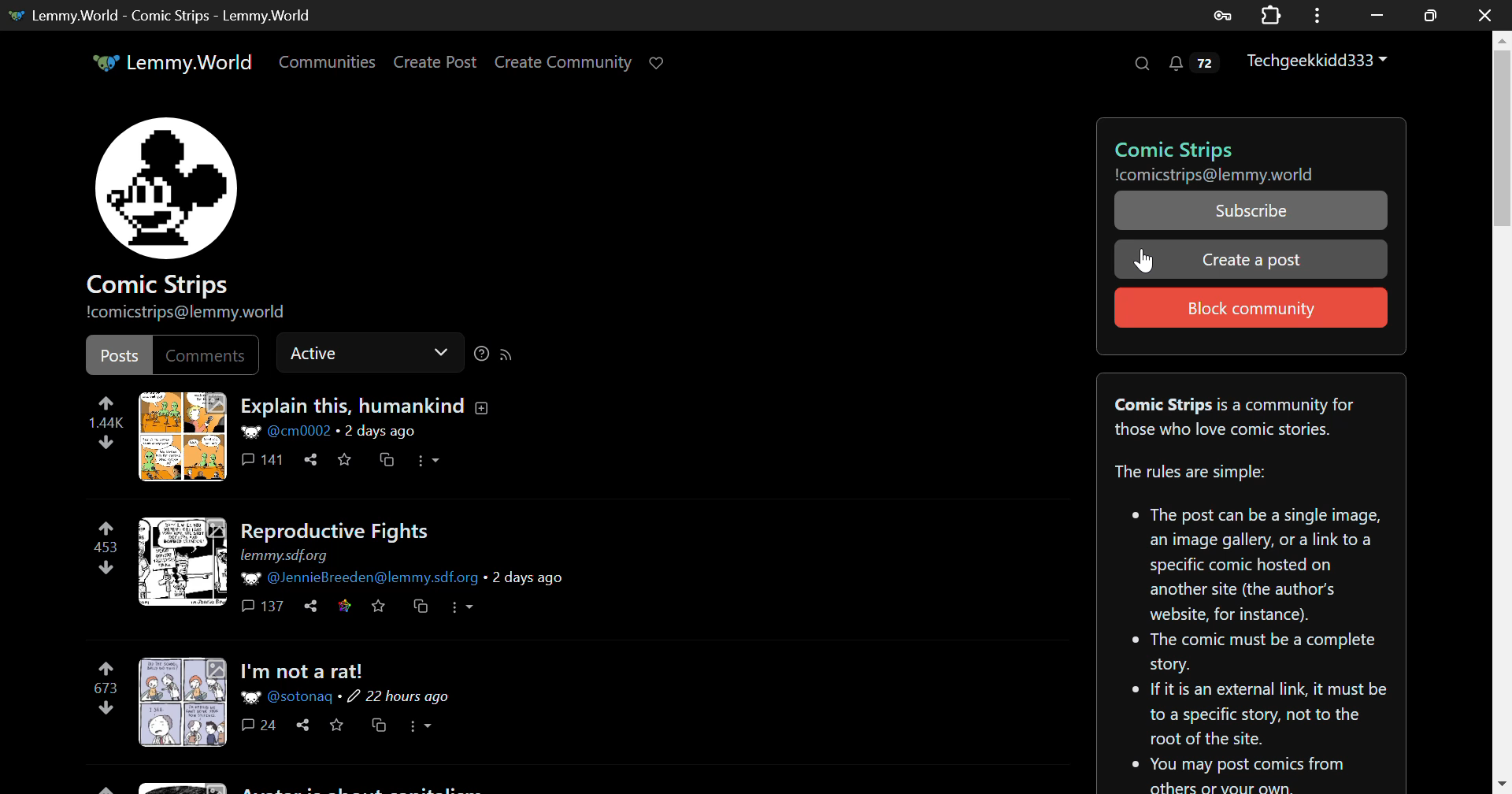  Describe the element at coordinates (1249, 582) in the screenshot. I see `Community Rules` at that location.